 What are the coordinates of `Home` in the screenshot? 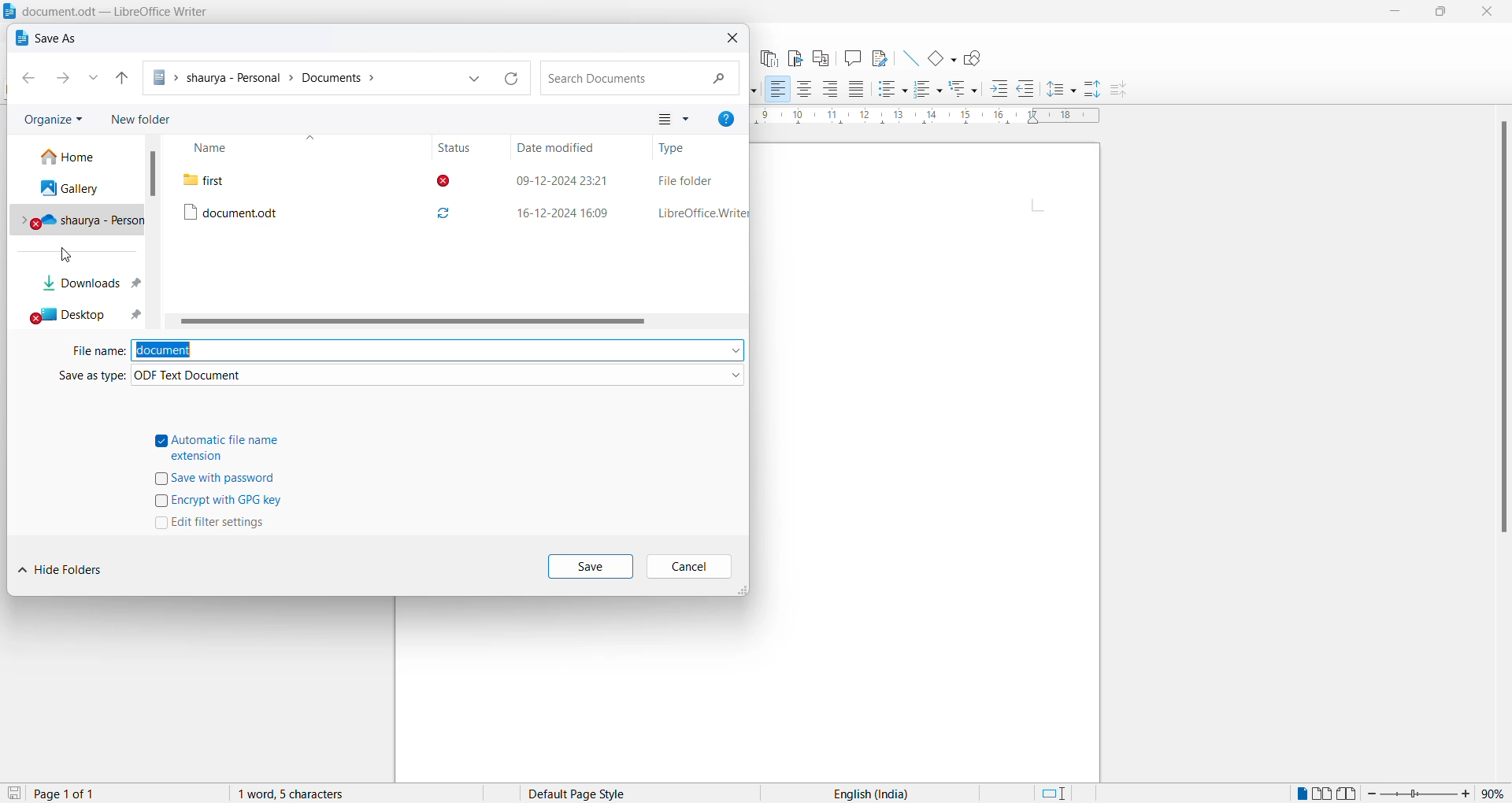 It's located at (73, 157).